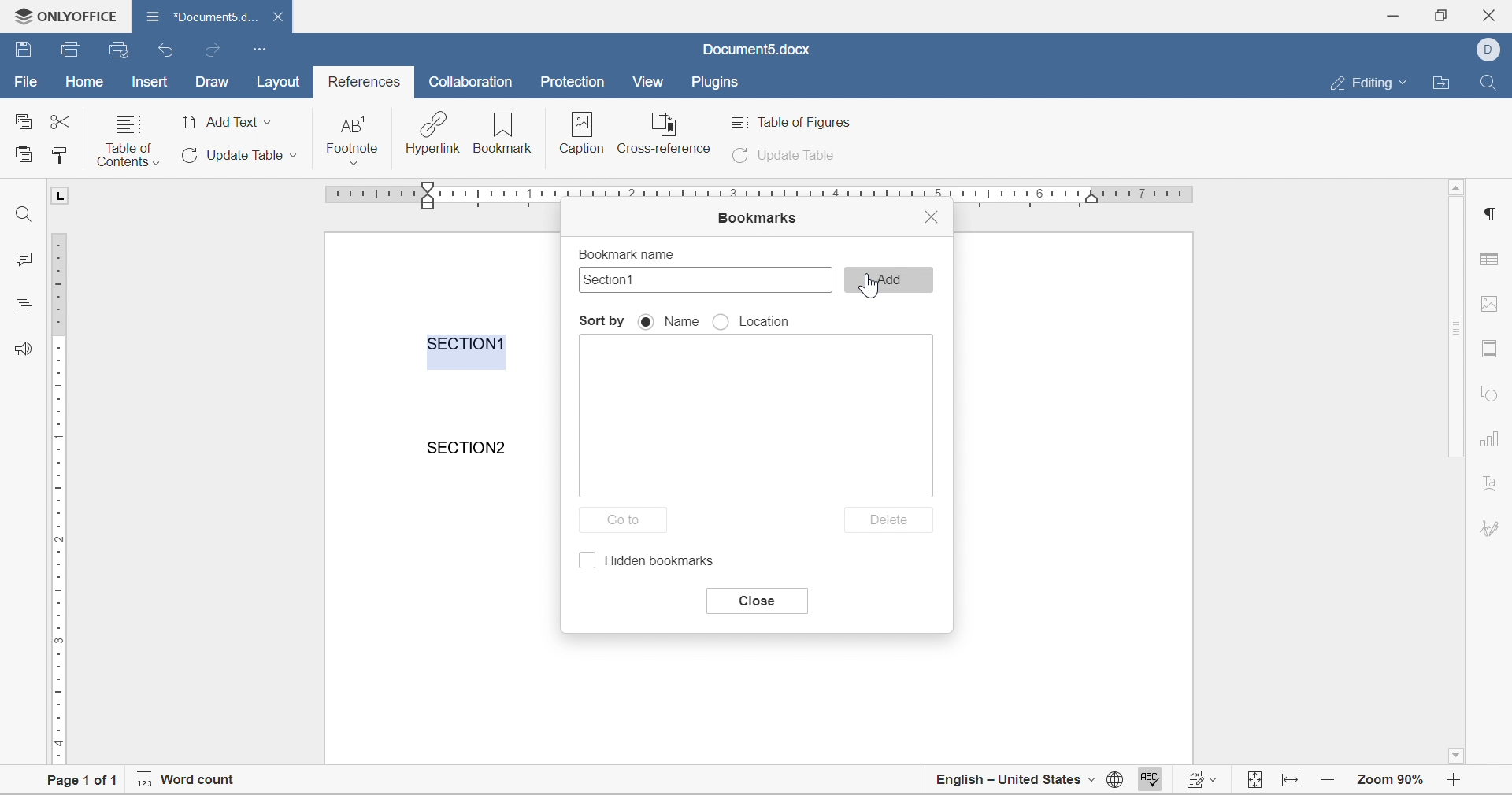 The image size is (1512, 795). What do you see at coordinates (873, 284) in the screenshot?
I see `Cursor` at bounding box center [873, 284].